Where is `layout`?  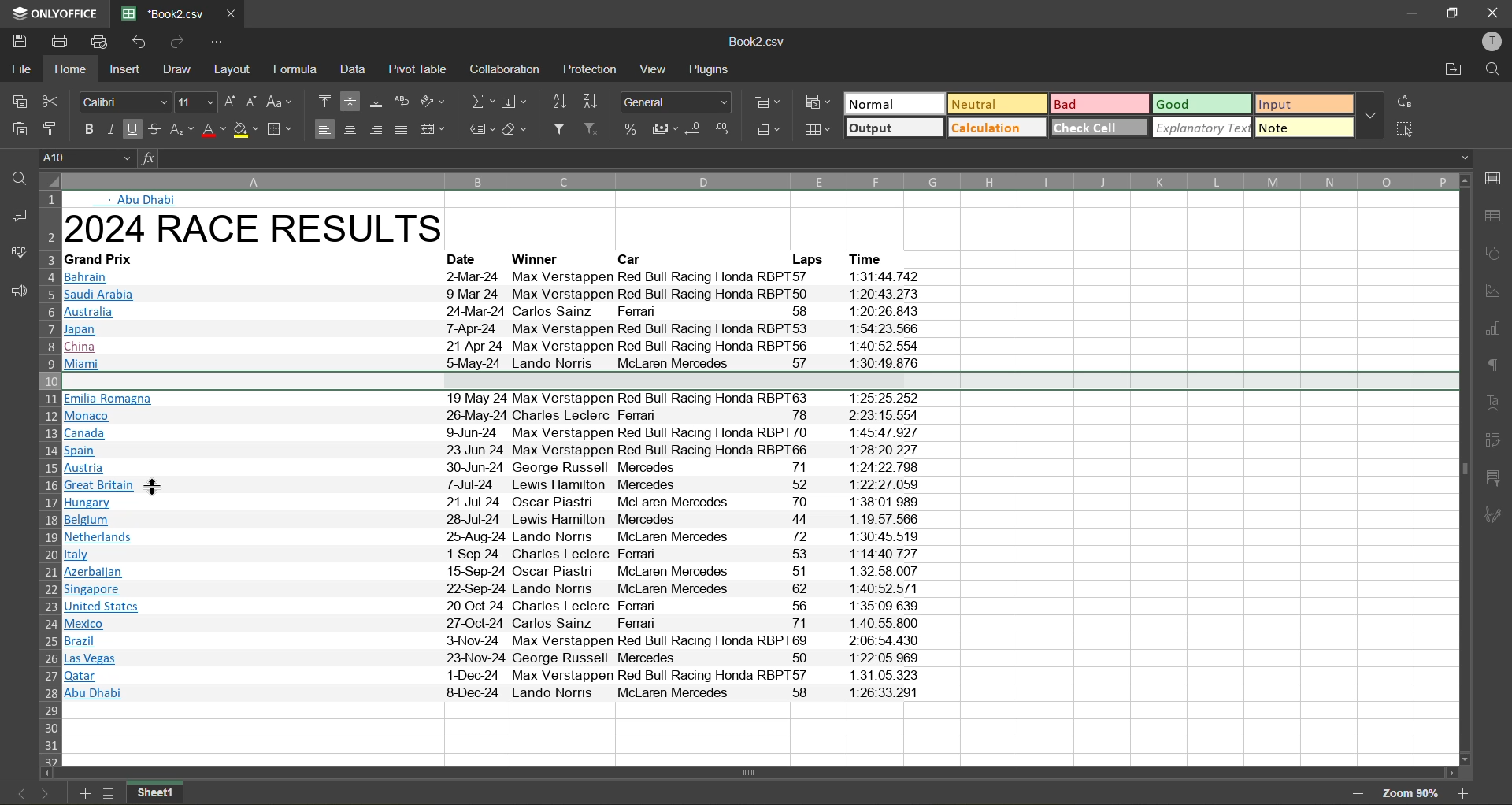
layout is located at coordinates (232, 68).